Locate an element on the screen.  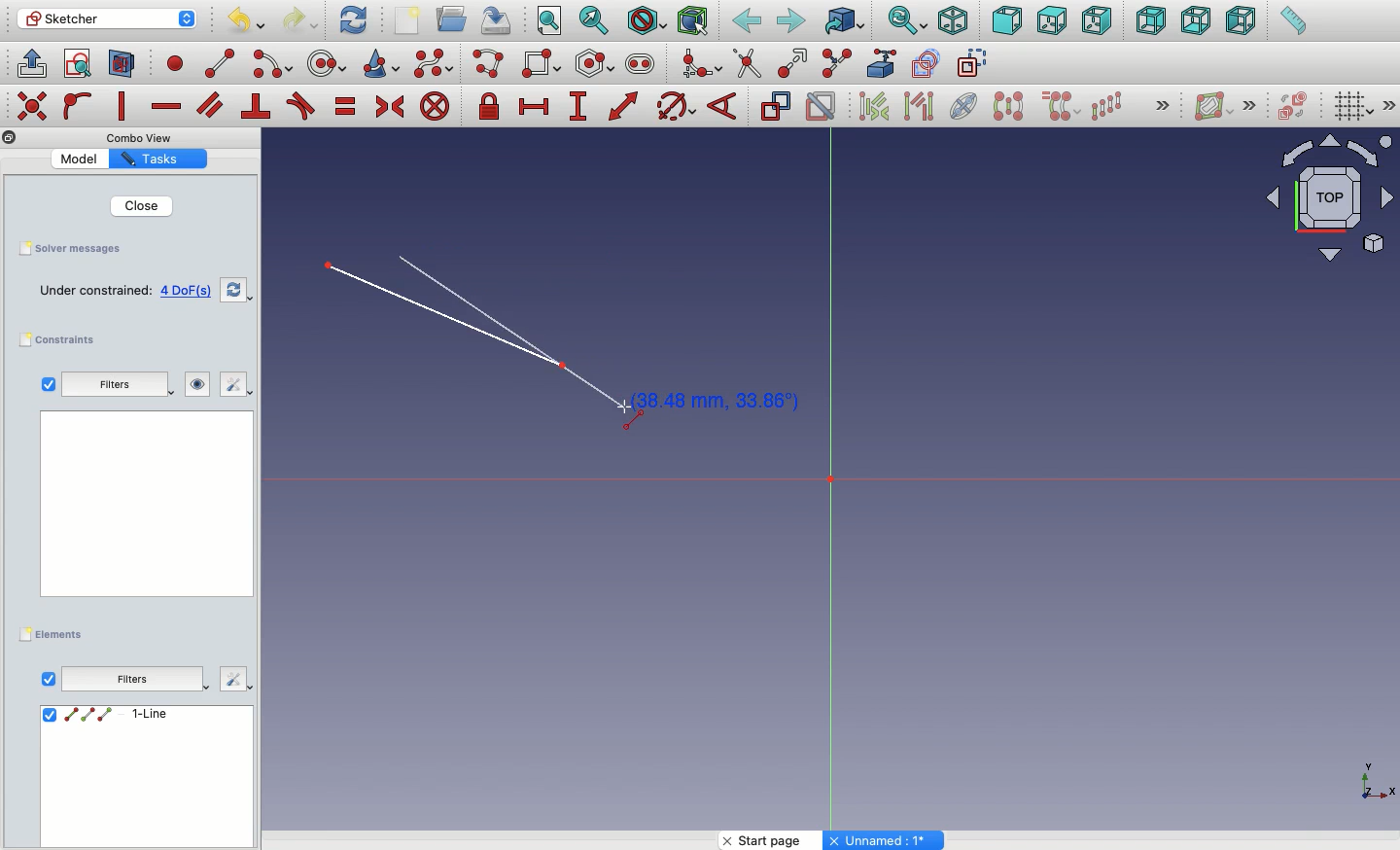
Close is located at coordinates (144, 206).